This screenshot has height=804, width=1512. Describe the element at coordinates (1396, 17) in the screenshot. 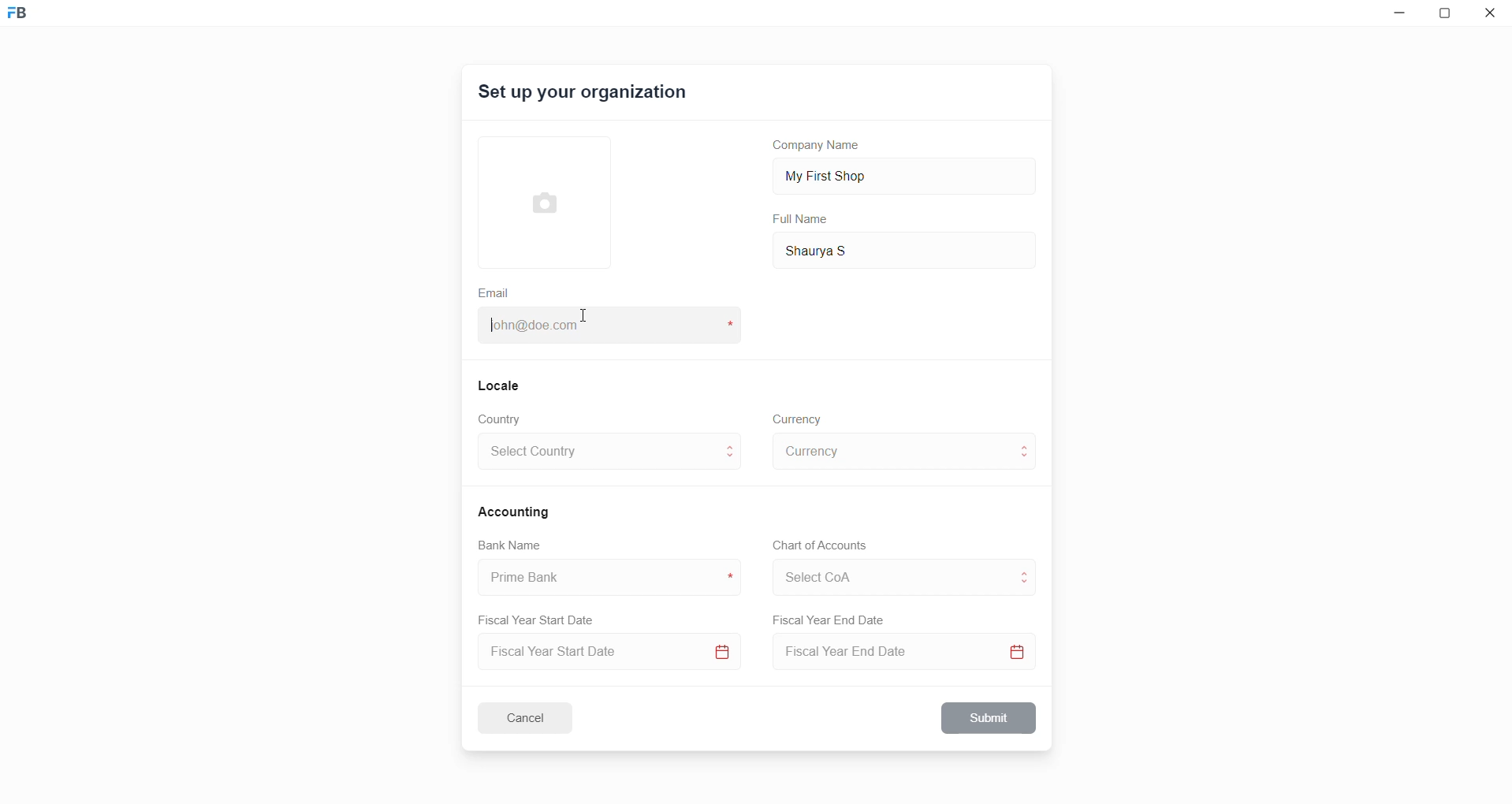

I see `minimize` at that location.